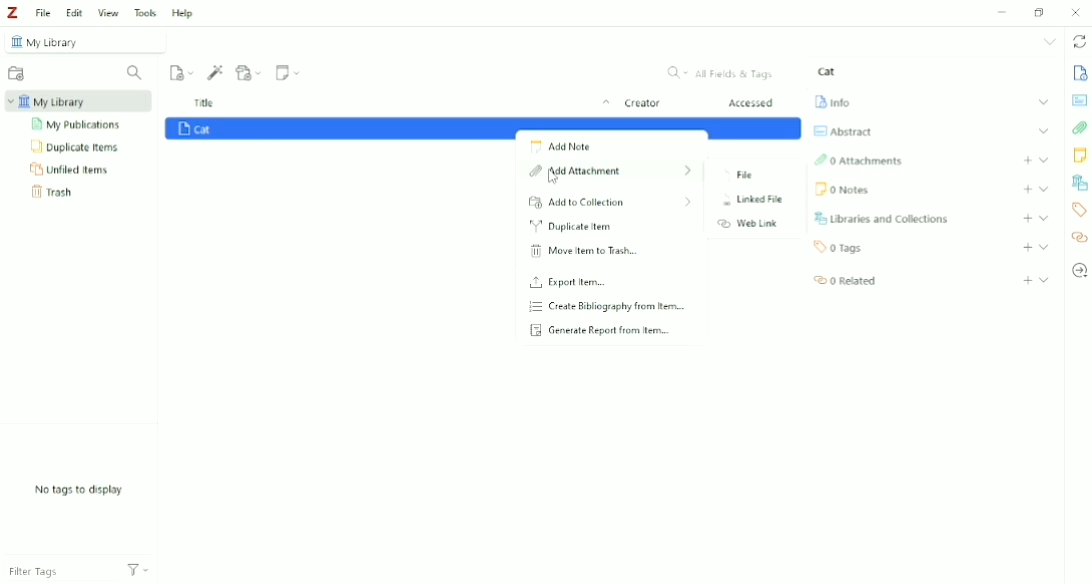 The width and height of the screenshot is (1092, 584). I want to click on Add Item (s) by Identifier, so click(216, 72).